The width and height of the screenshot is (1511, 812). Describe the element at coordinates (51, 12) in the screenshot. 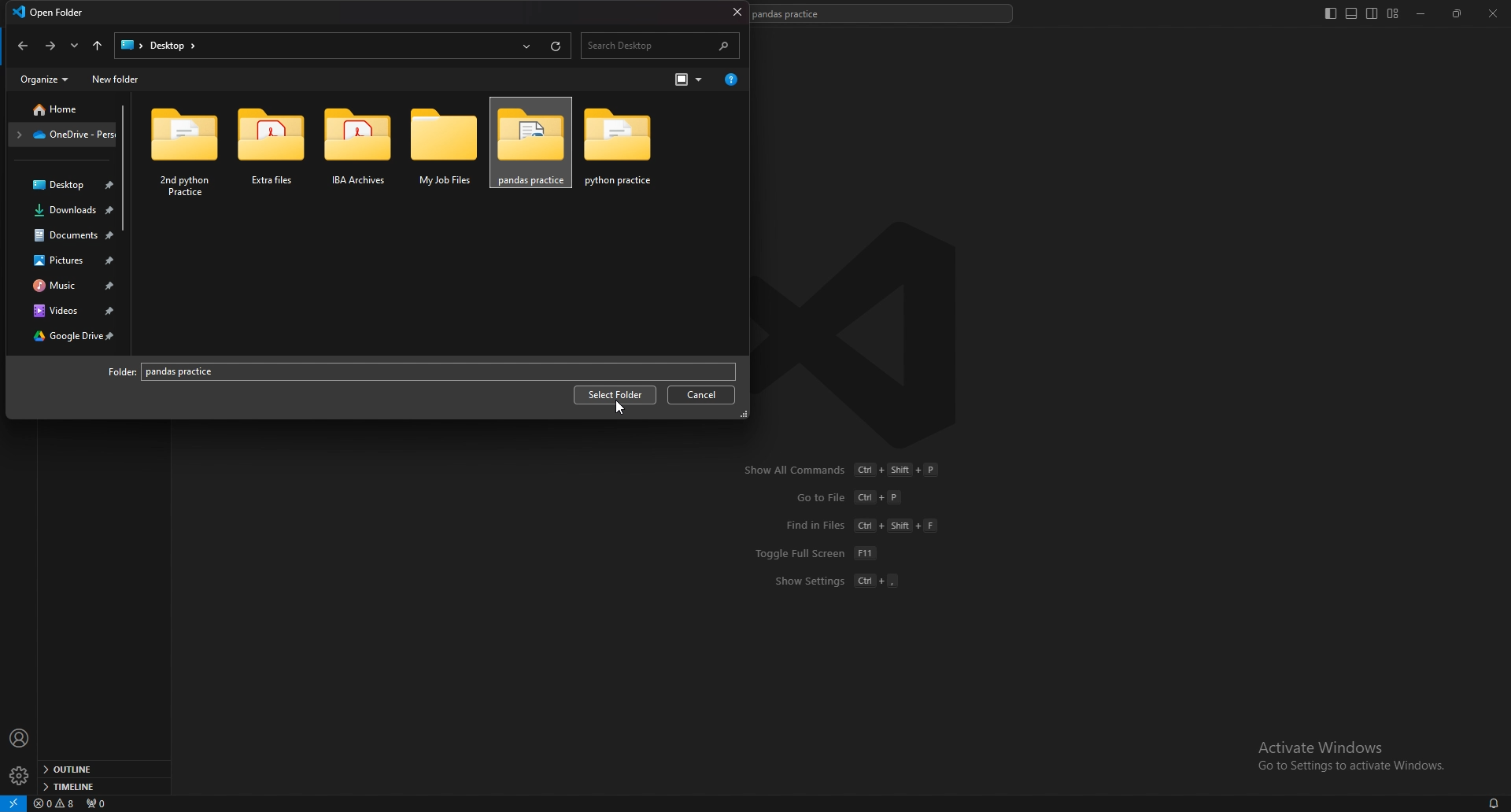

I see `open folder` at that location.